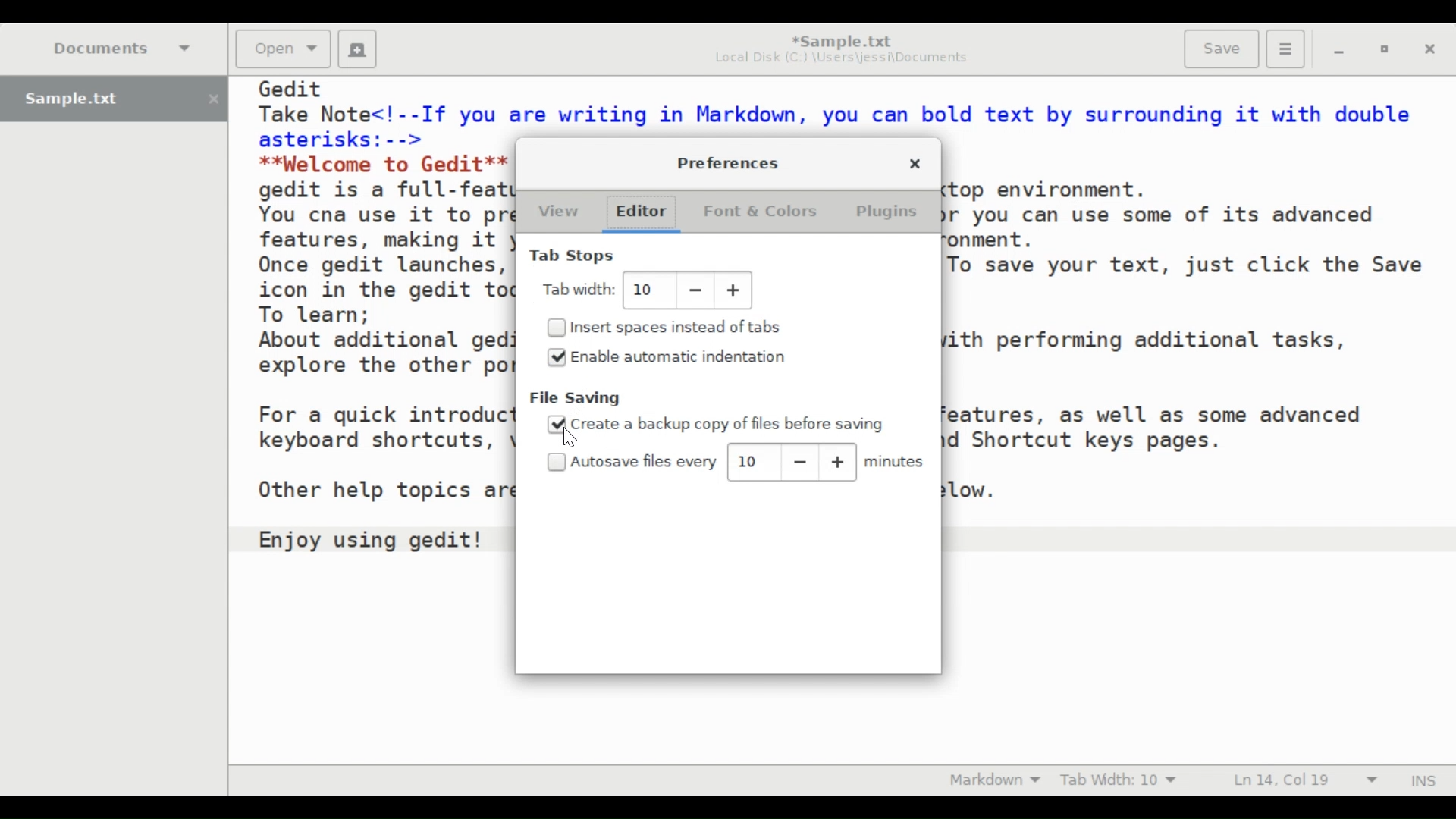  I want to click on Plugins, so click(889, 212).